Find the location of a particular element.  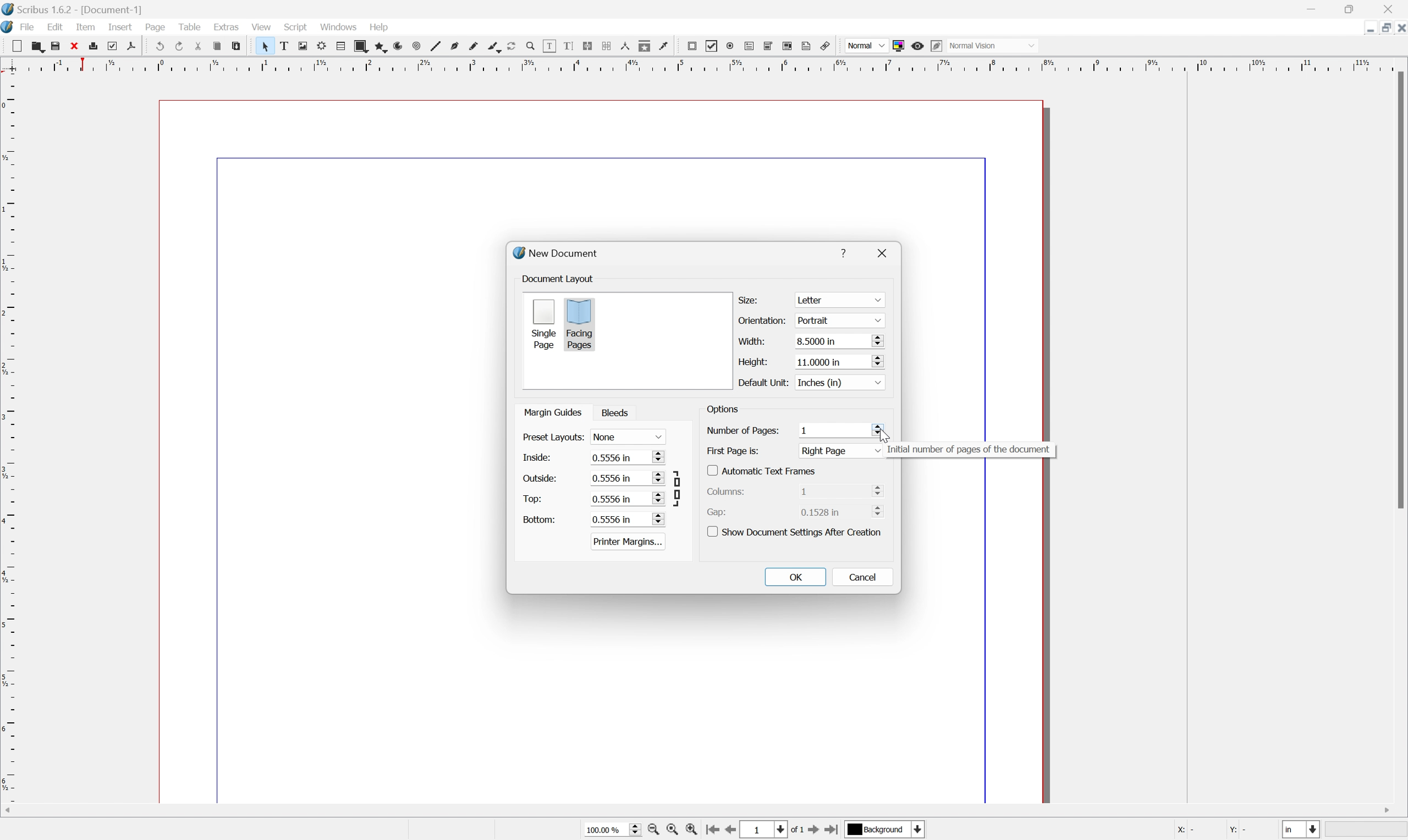

Measurements is located at coordinates (627, 47).